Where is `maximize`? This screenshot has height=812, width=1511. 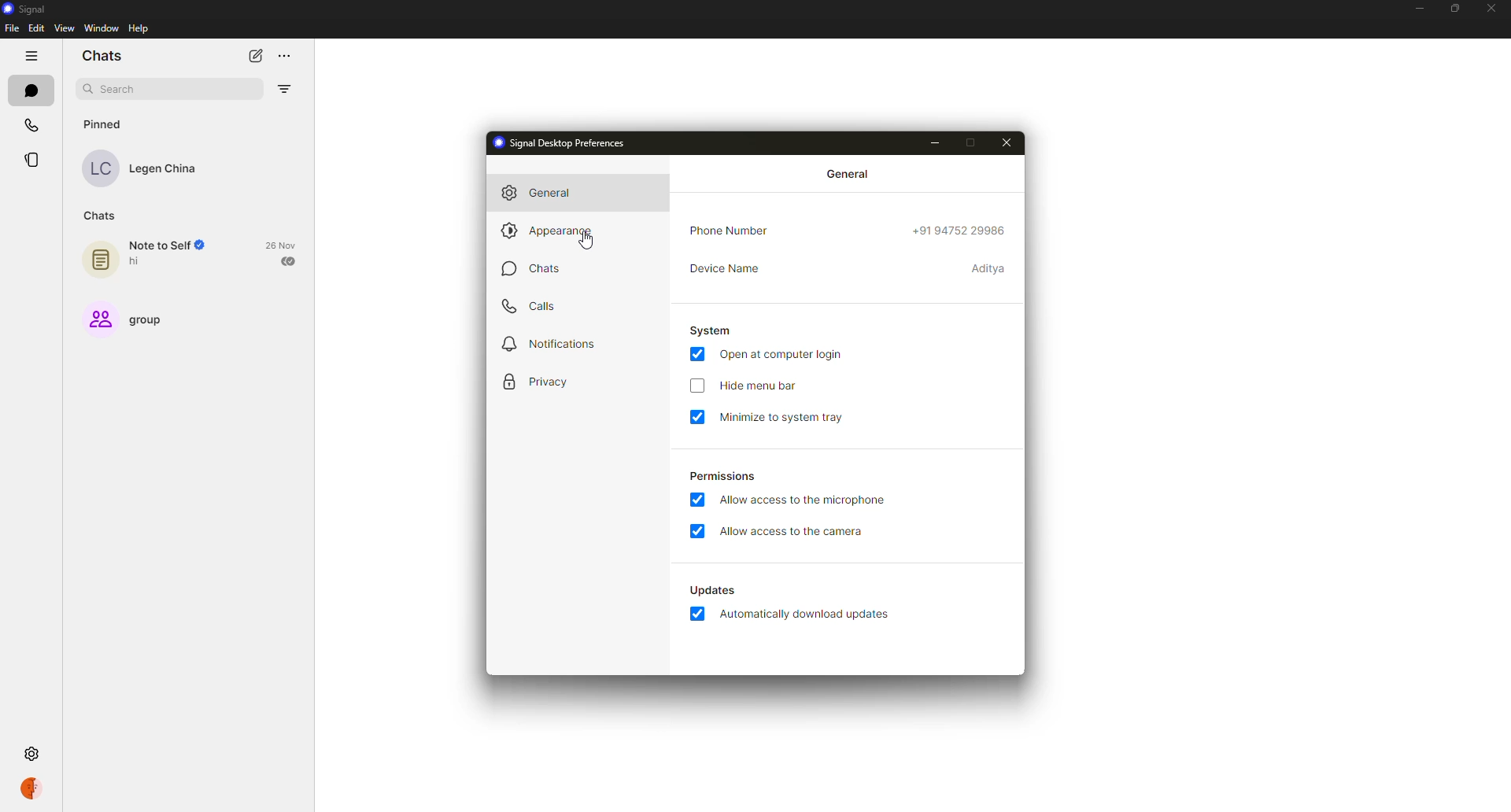 maximize is located at coordinates (970, 140).